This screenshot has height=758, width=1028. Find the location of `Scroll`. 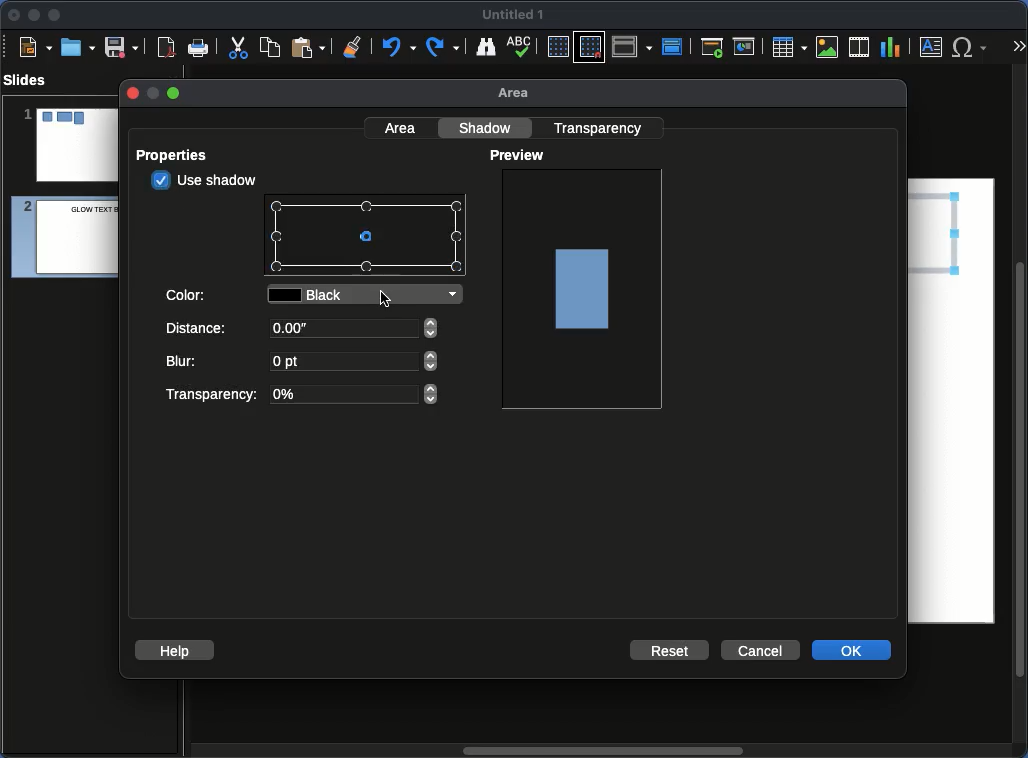

Scroll is located at coordinates (599, 752).